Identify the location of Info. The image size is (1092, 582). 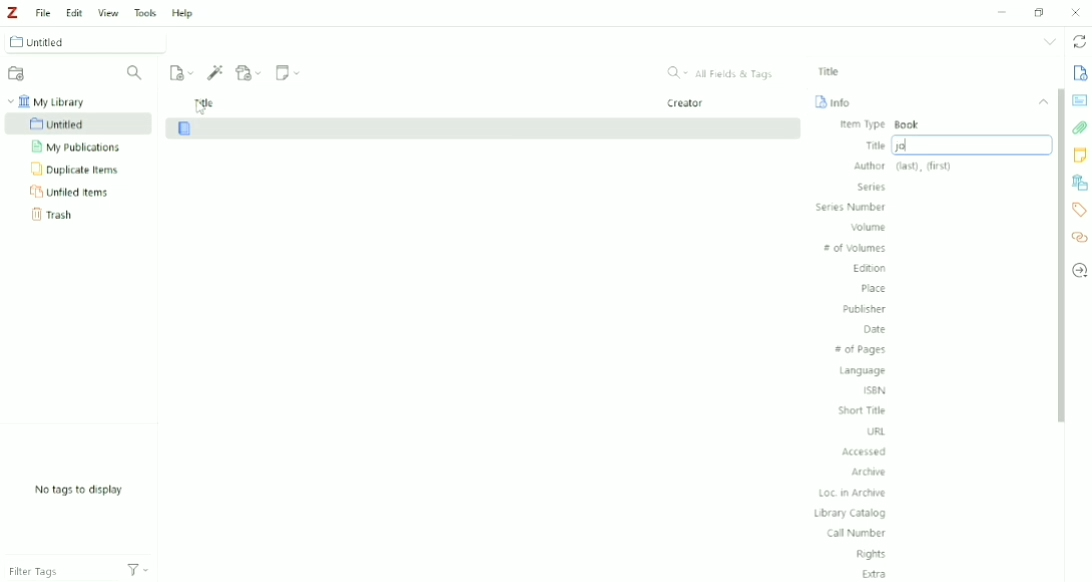
(835, 101).